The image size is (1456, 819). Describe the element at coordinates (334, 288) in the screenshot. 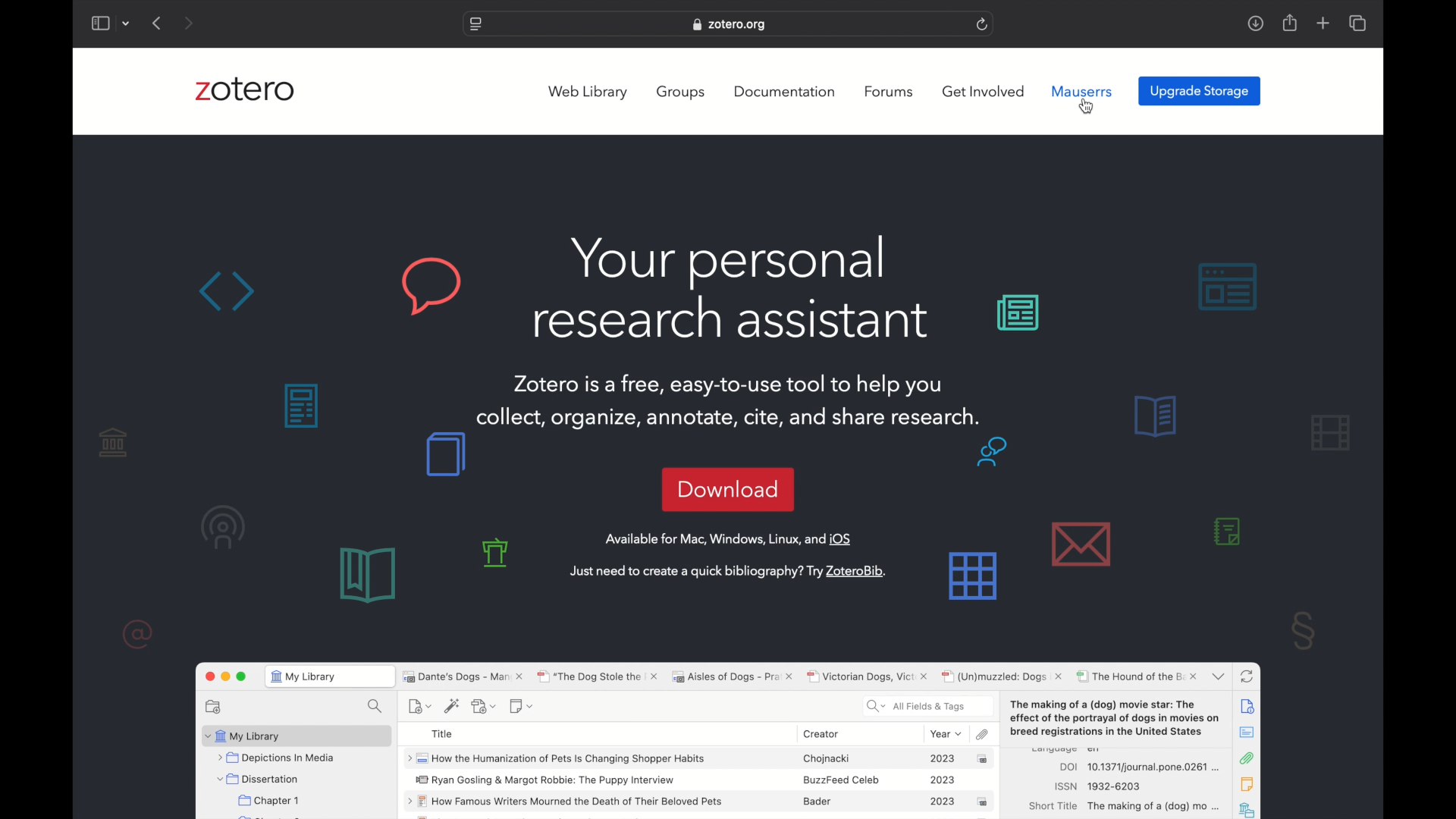

I see `background graphics` at that location.